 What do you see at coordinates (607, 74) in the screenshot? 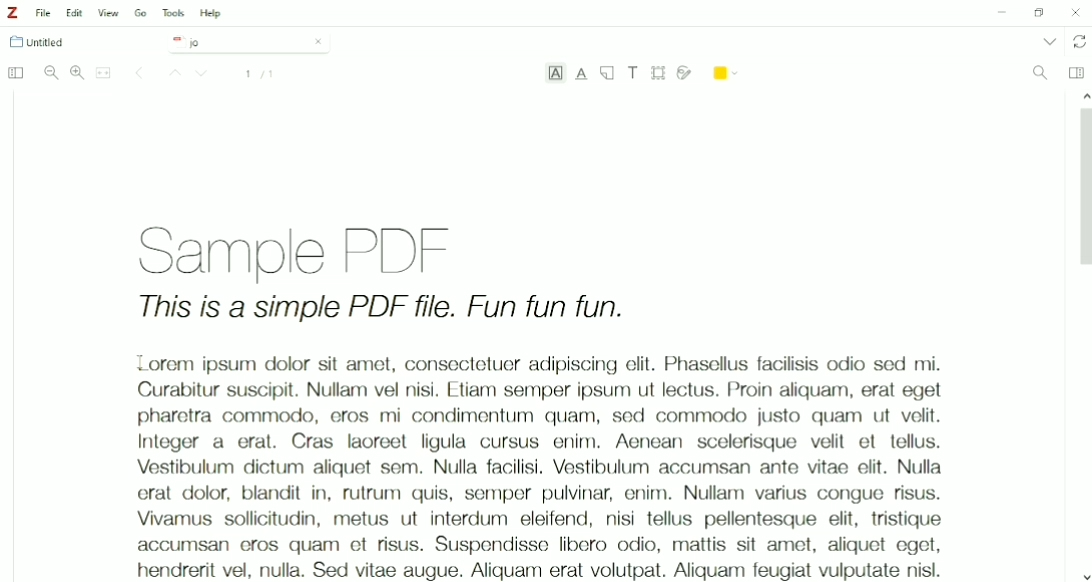
I see `Note Annotation` at bounding box center [607, 74].